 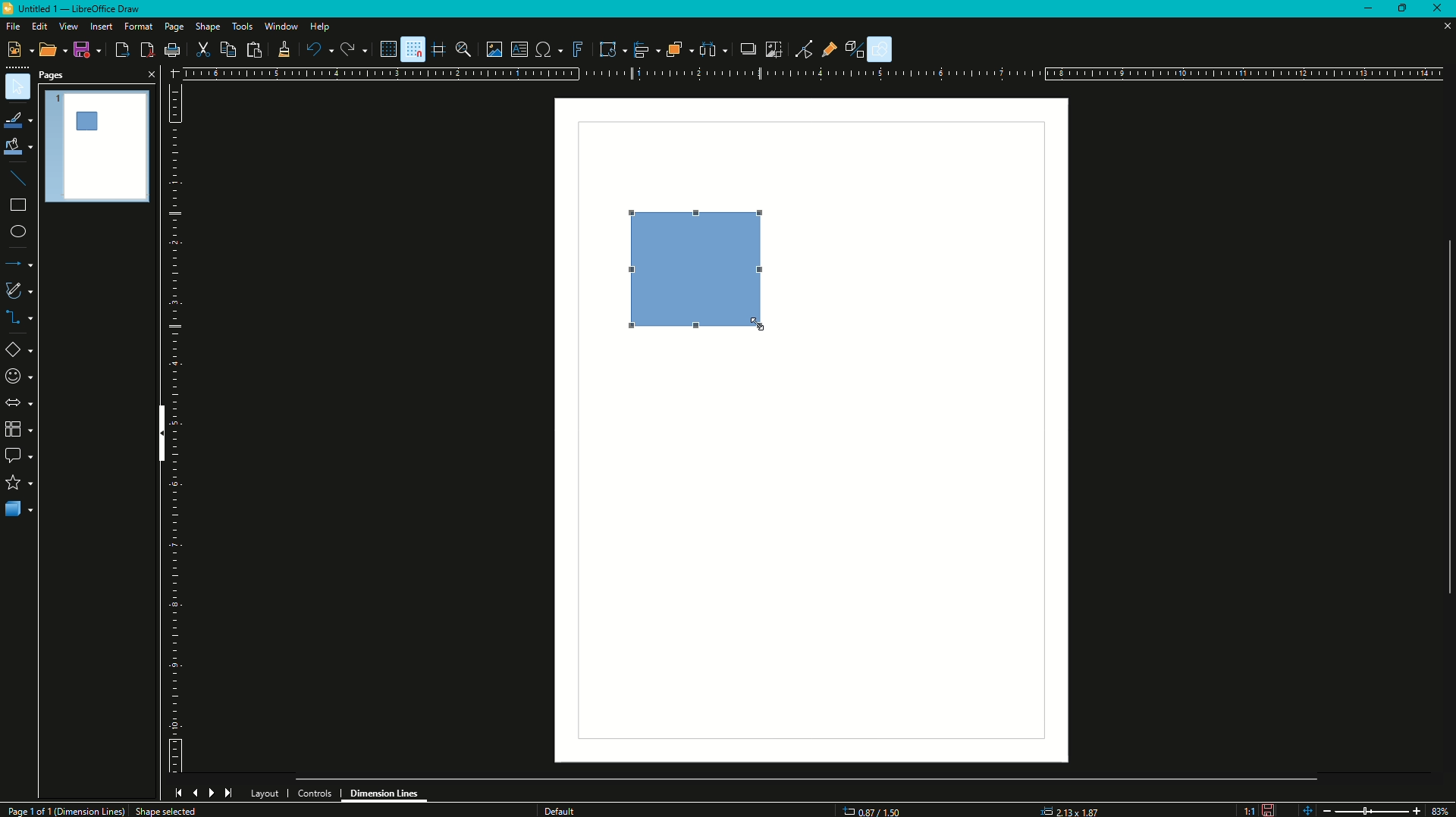 I want to click on Minimize, so click(x=1367, y=9).